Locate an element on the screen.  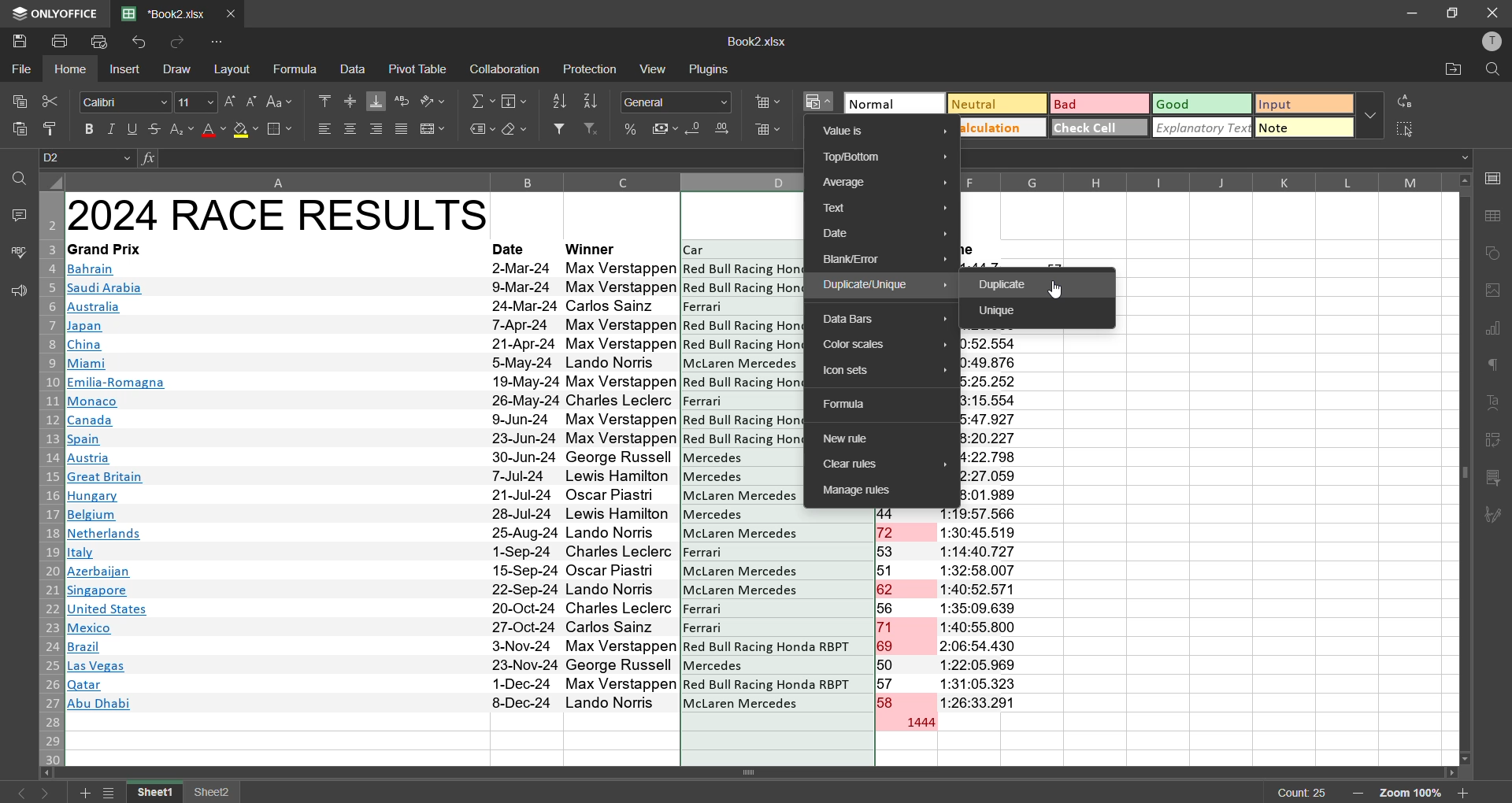
grand prix is located at coordinates (104, 249).